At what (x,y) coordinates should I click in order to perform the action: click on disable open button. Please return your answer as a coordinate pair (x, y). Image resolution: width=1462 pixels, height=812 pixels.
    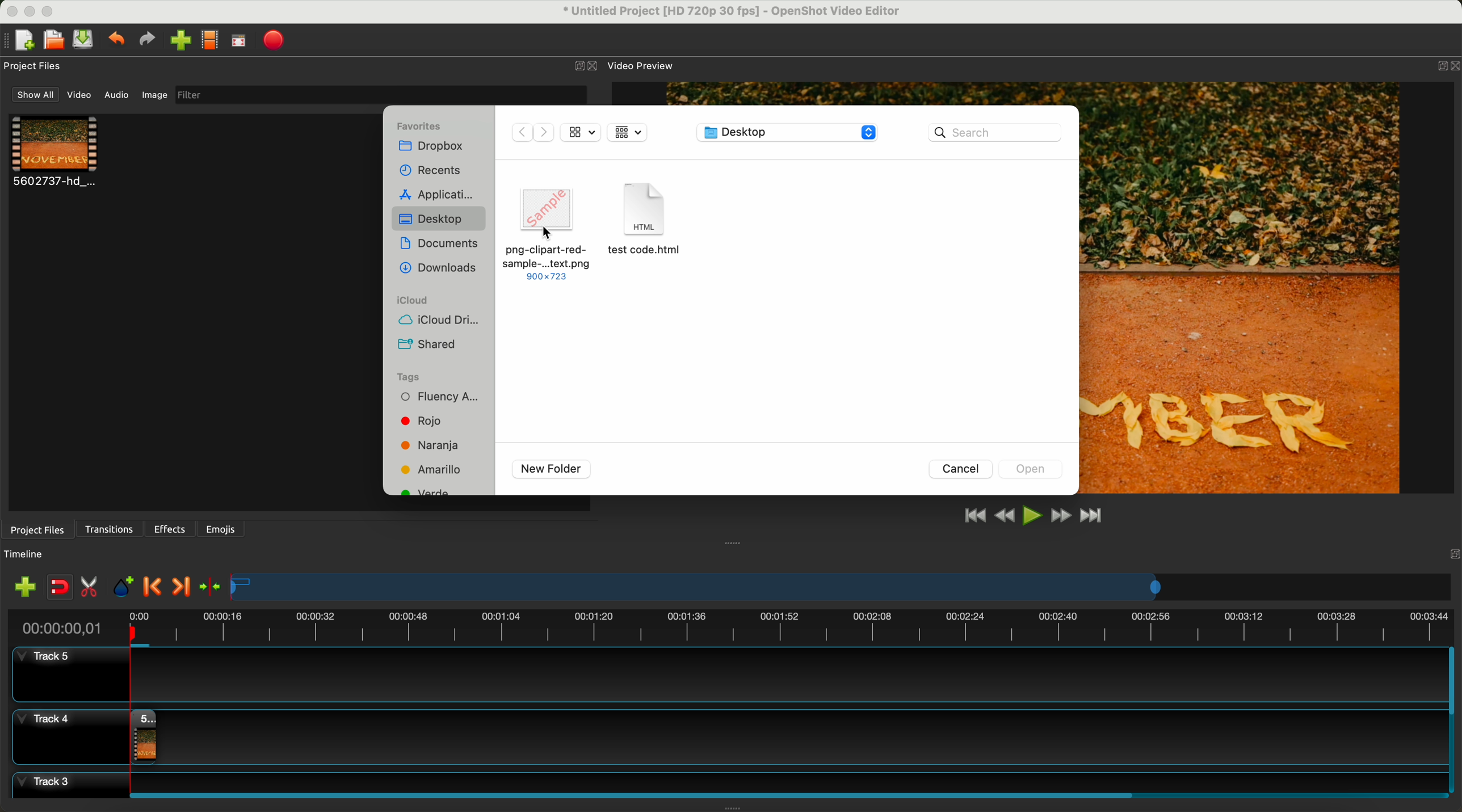
    Looking at the image, I should click on (1034, 469).